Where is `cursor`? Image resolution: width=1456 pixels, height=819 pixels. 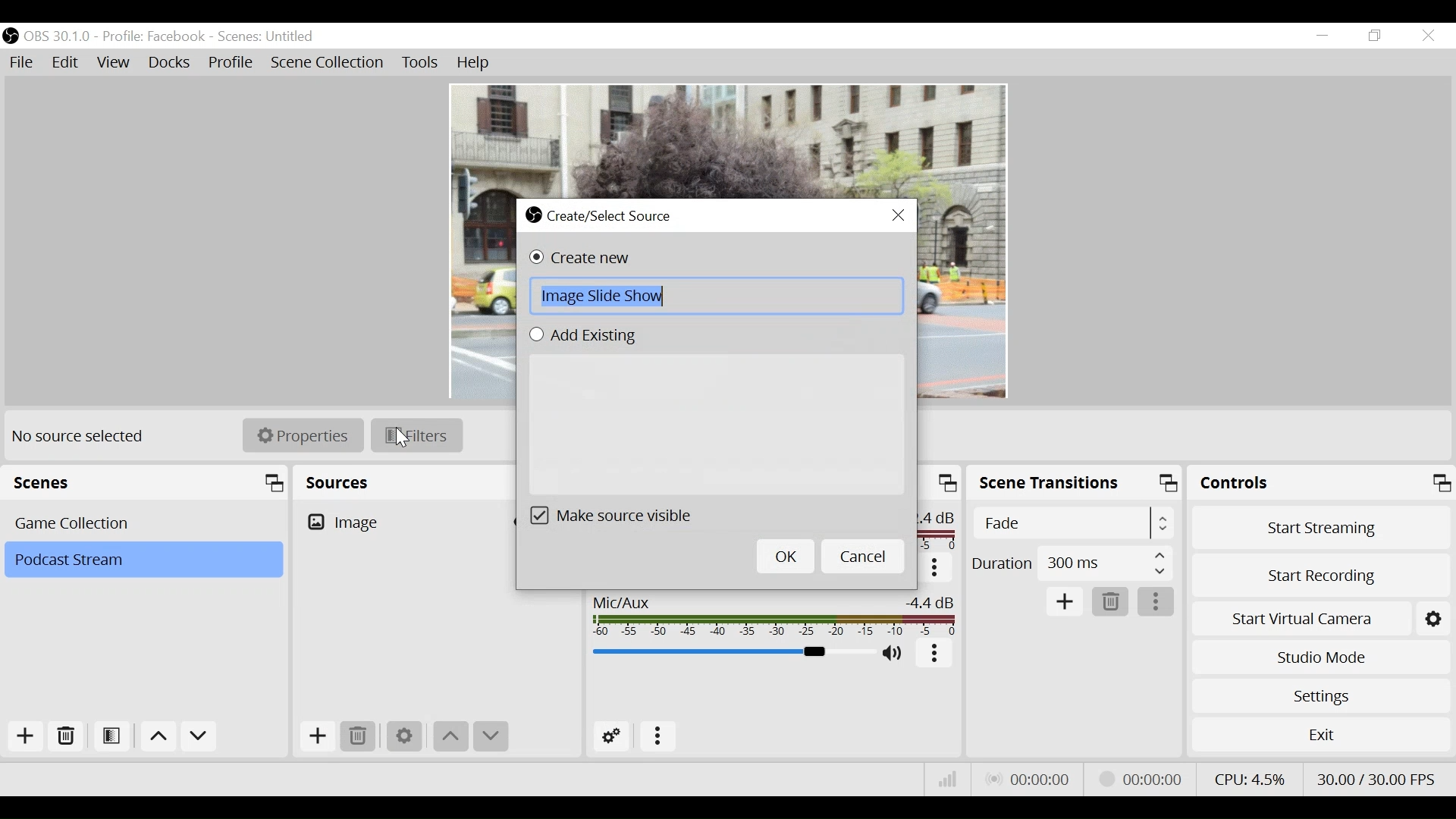 cursor is located at coordinates (406, 438).